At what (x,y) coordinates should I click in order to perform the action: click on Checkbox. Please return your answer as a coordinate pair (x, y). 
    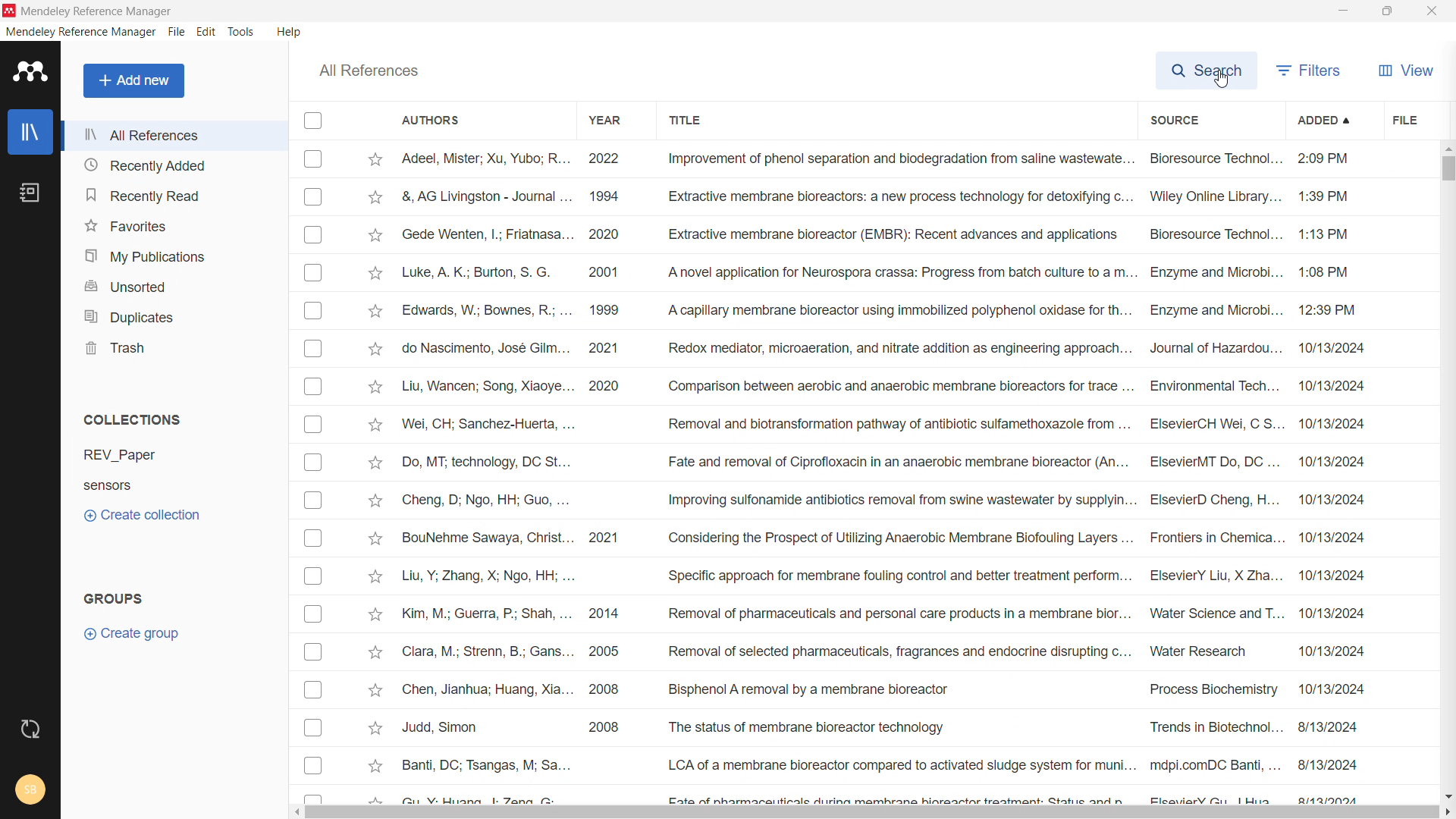
    Looking at the image, I should click on (312, 765).